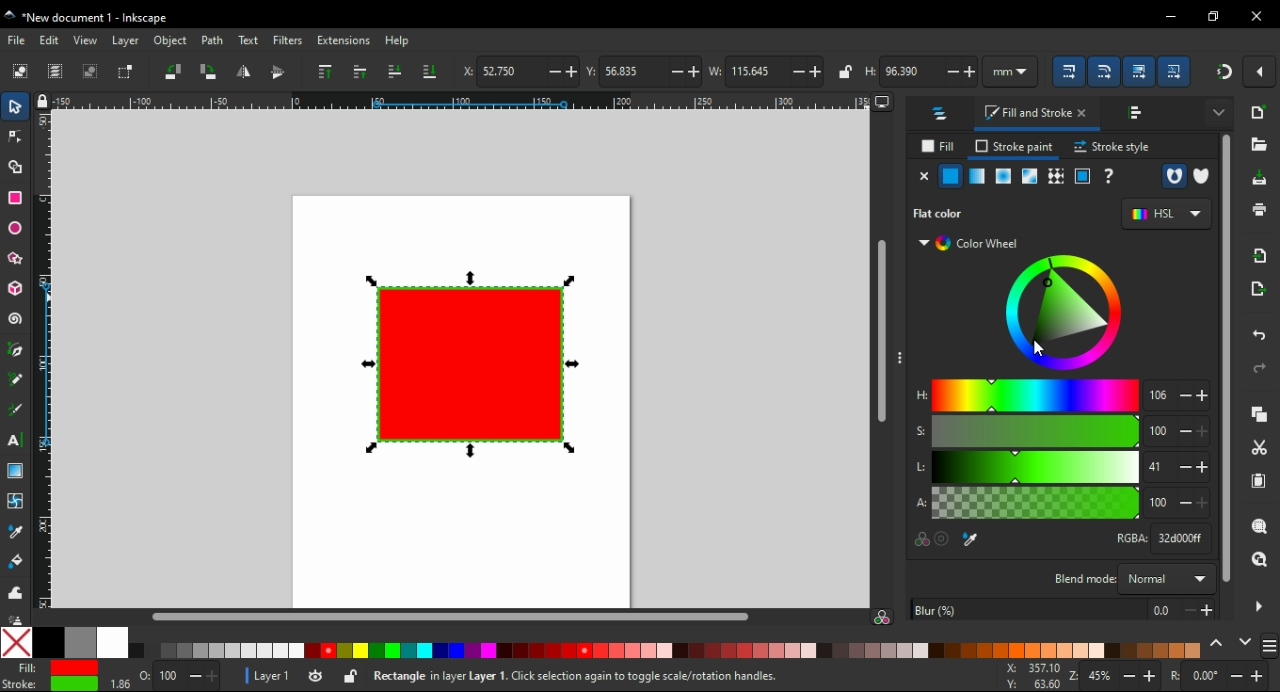  I want to click on zoom object, so click(1257, 525).